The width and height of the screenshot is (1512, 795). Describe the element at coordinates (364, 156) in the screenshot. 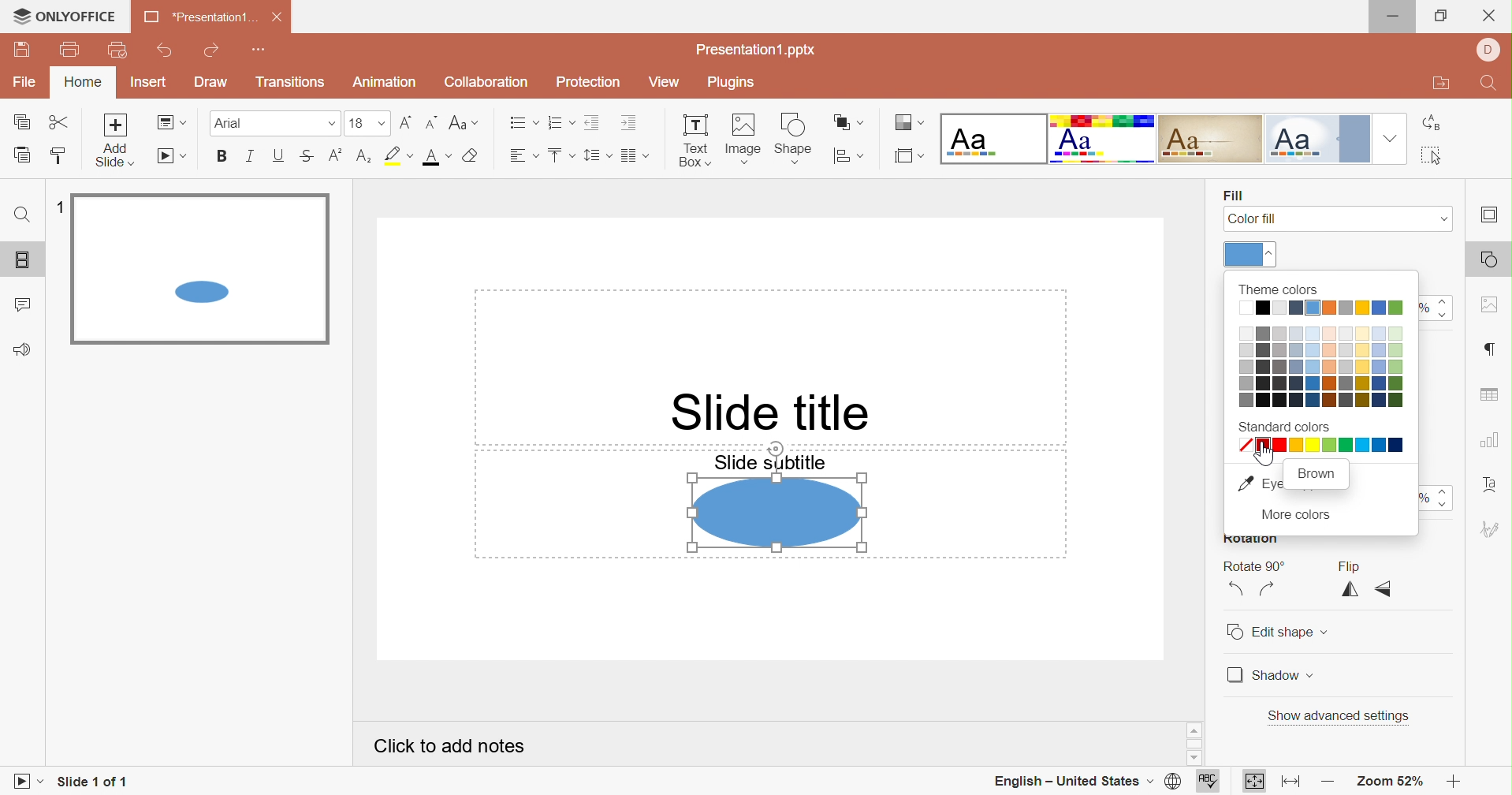

I see `Subscript` at that location.